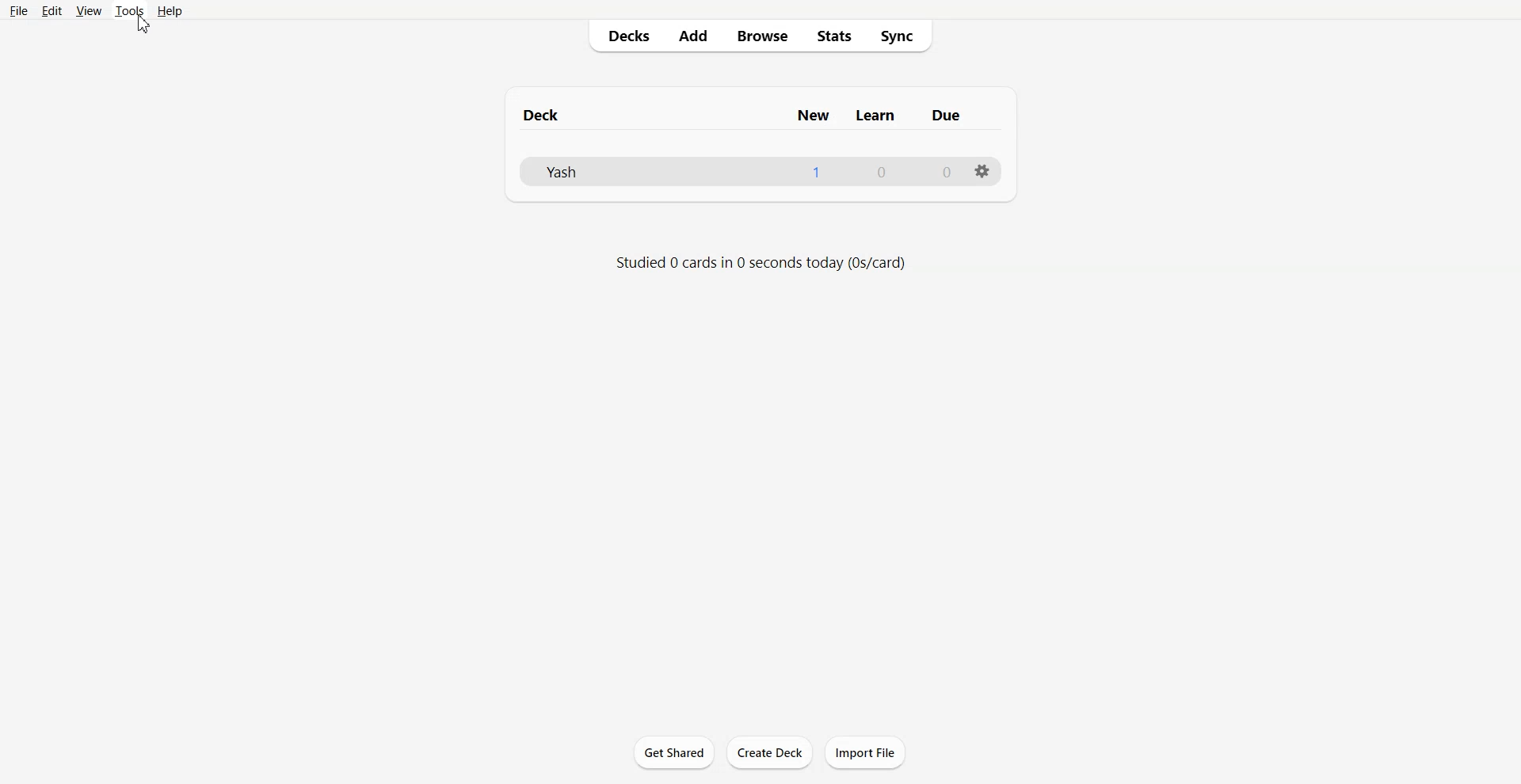  What do you see at coordinates (816, 171) in the screenshot?
I see `1` at bounding box center [816, 171].